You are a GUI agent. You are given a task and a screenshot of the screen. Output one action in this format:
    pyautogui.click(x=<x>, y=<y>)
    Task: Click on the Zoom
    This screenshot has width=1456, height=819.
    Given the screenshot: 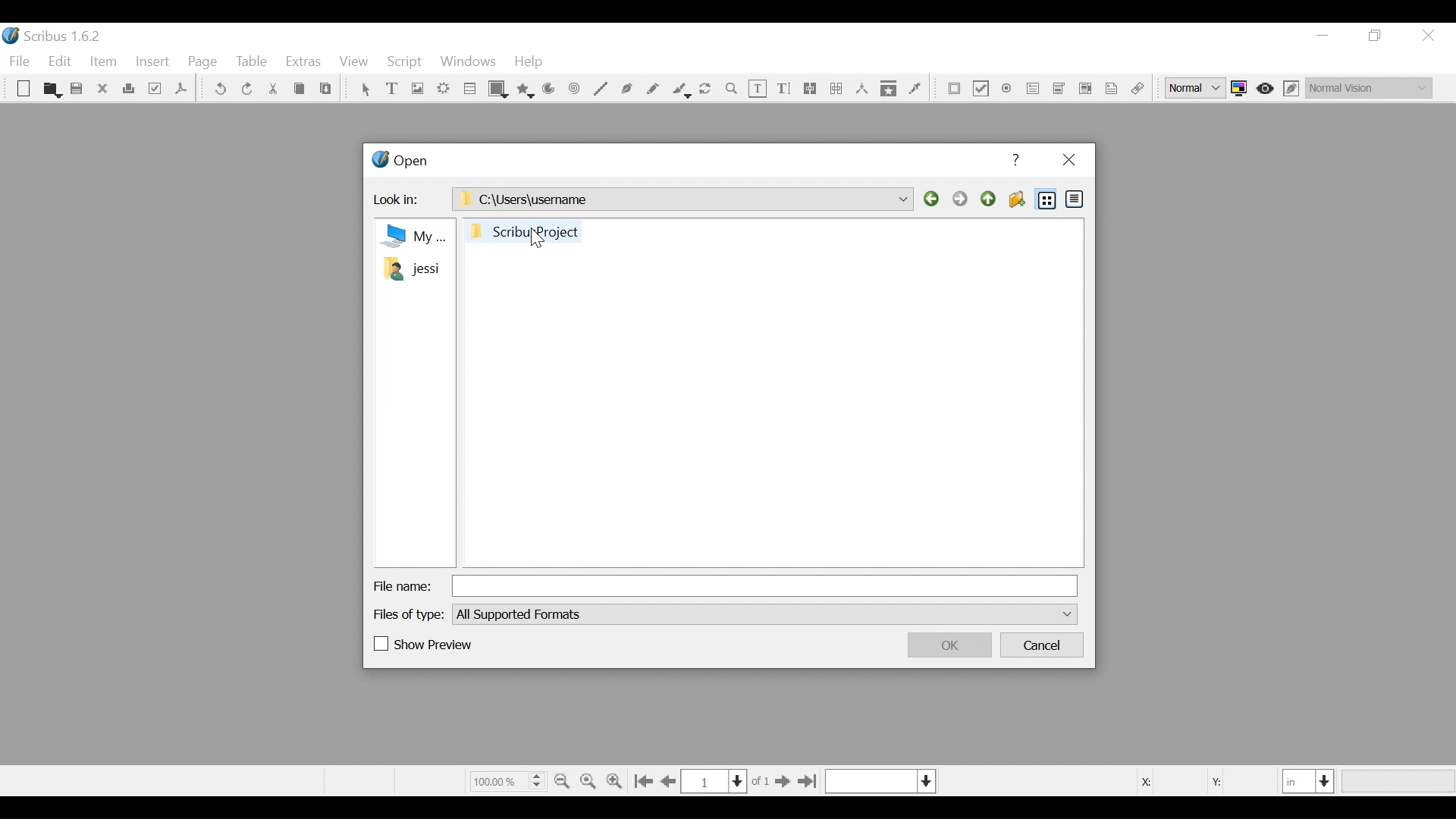 What is the action you would take?
    pyautogui.click(x=732, y=89)
    